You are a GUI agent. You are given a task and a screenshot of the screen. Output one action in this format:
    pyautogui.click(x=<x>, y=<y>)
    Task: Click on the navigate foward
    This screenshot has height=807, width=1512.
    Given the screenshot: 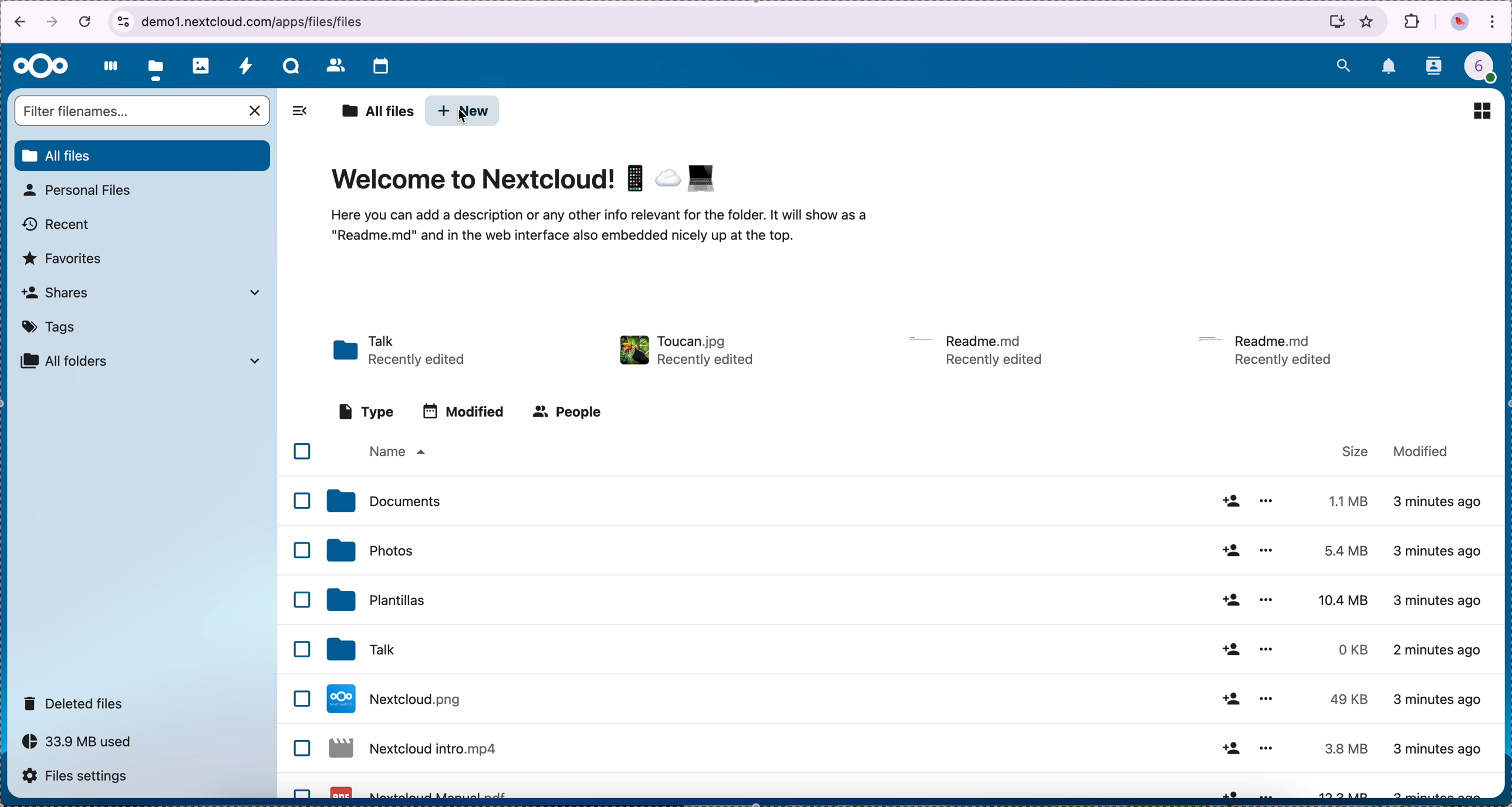 What is the action you would take?
    pyautogui.click(x=53, y=23)
    